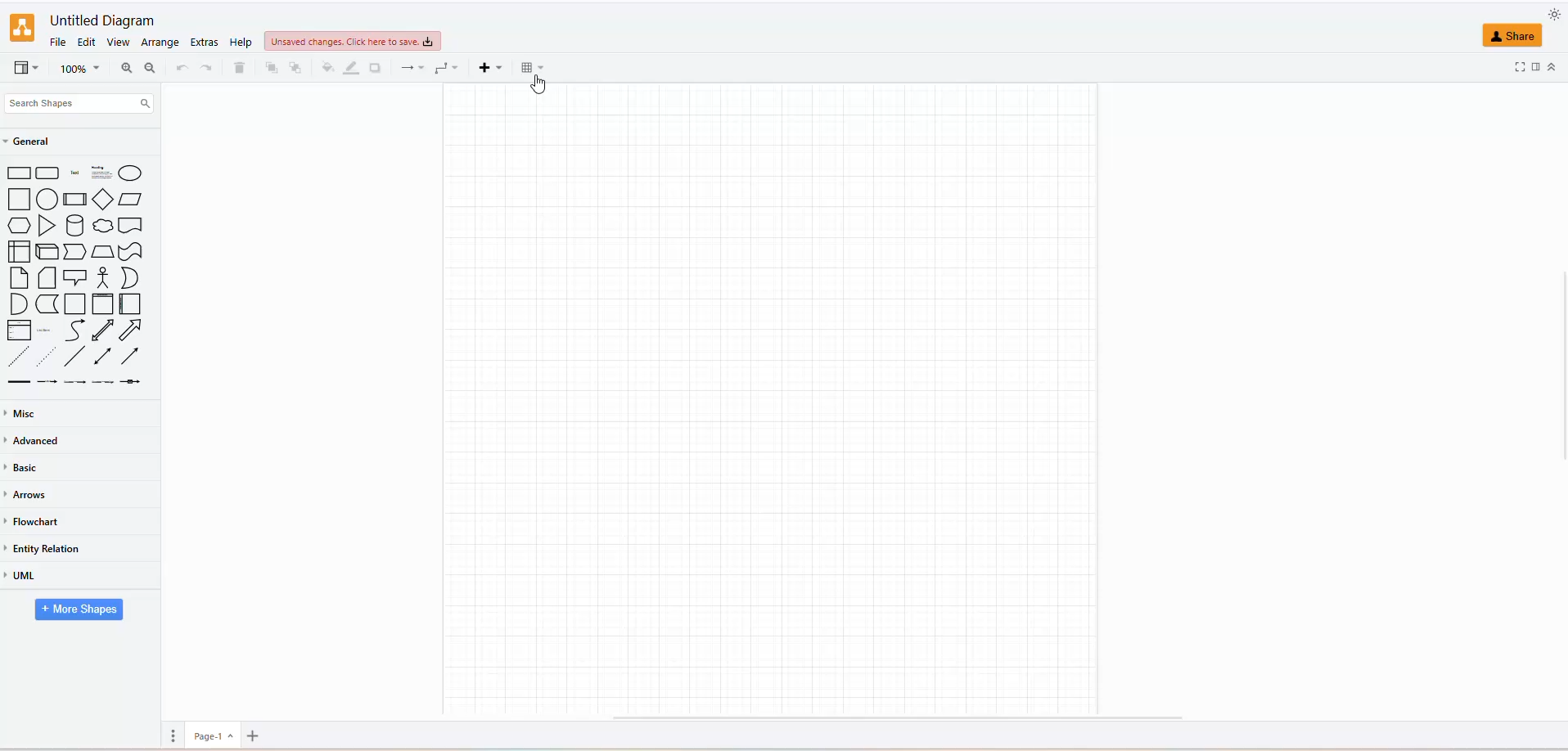 This screenshot has height=751, width=1568. Describe the element at coordinates (42, 548) in the screenshot. I see `entity relation` at that location.